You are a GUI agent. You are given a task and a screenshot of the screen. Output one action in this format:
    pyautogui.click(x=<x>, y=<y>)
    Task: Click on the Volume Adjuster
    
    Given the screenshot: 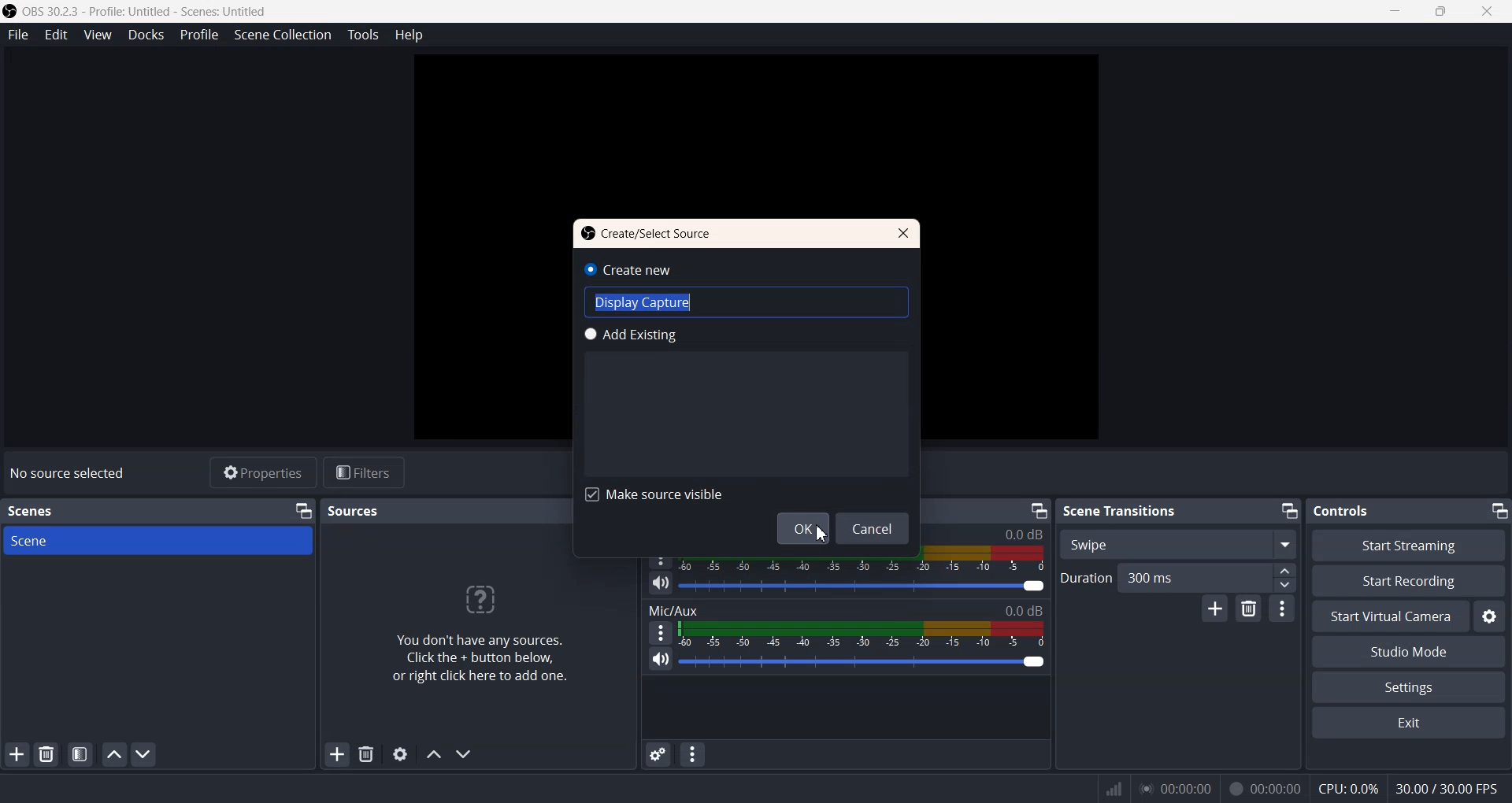 What is the action you would take?
    pyautogui.click(x=861, y=662)
    